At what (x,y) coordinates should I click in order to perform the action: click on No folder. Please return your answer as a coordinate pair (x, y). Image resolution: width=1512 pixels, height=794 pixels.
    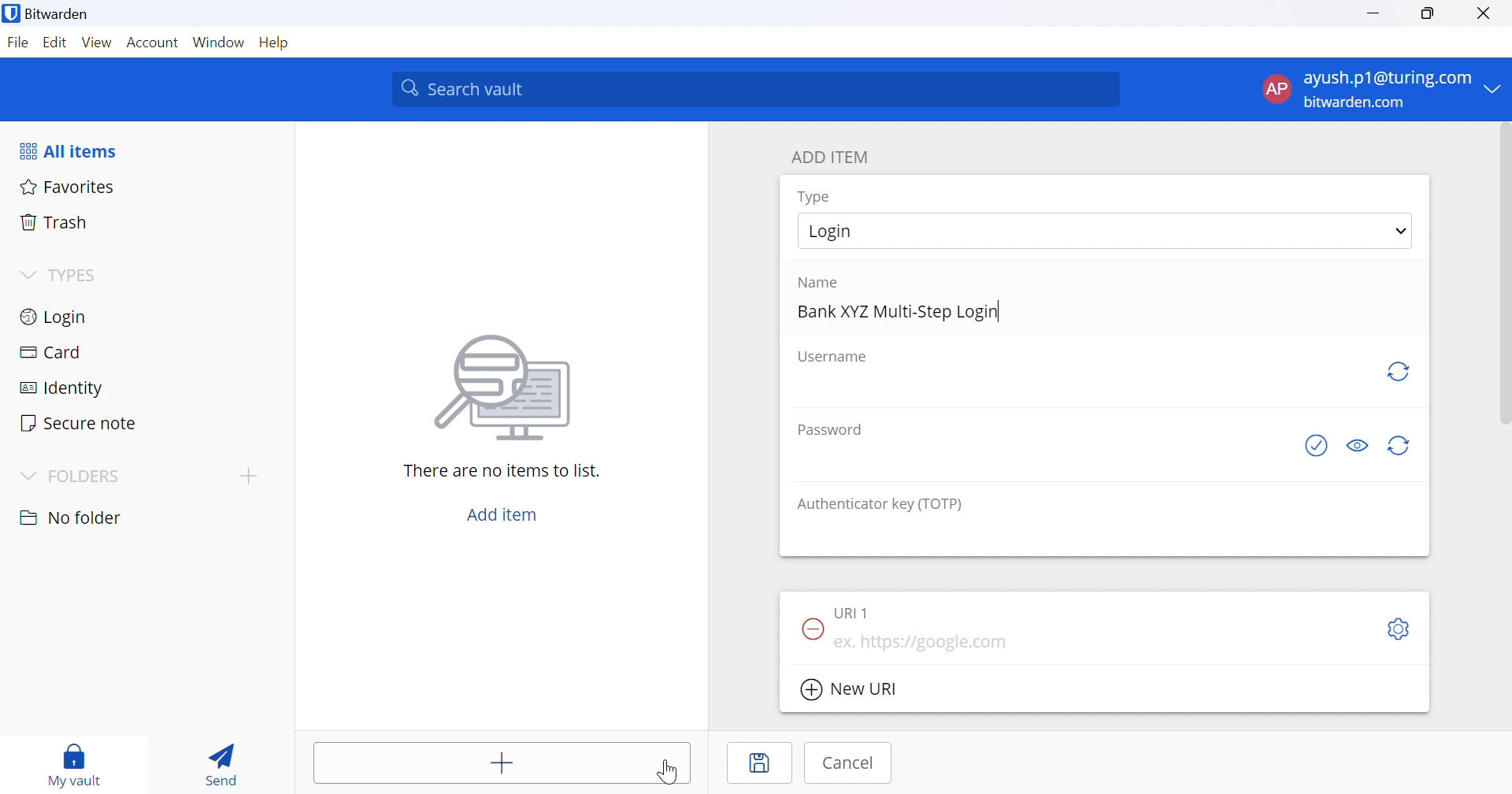
    Looking at the image, I should click on (72, 518).